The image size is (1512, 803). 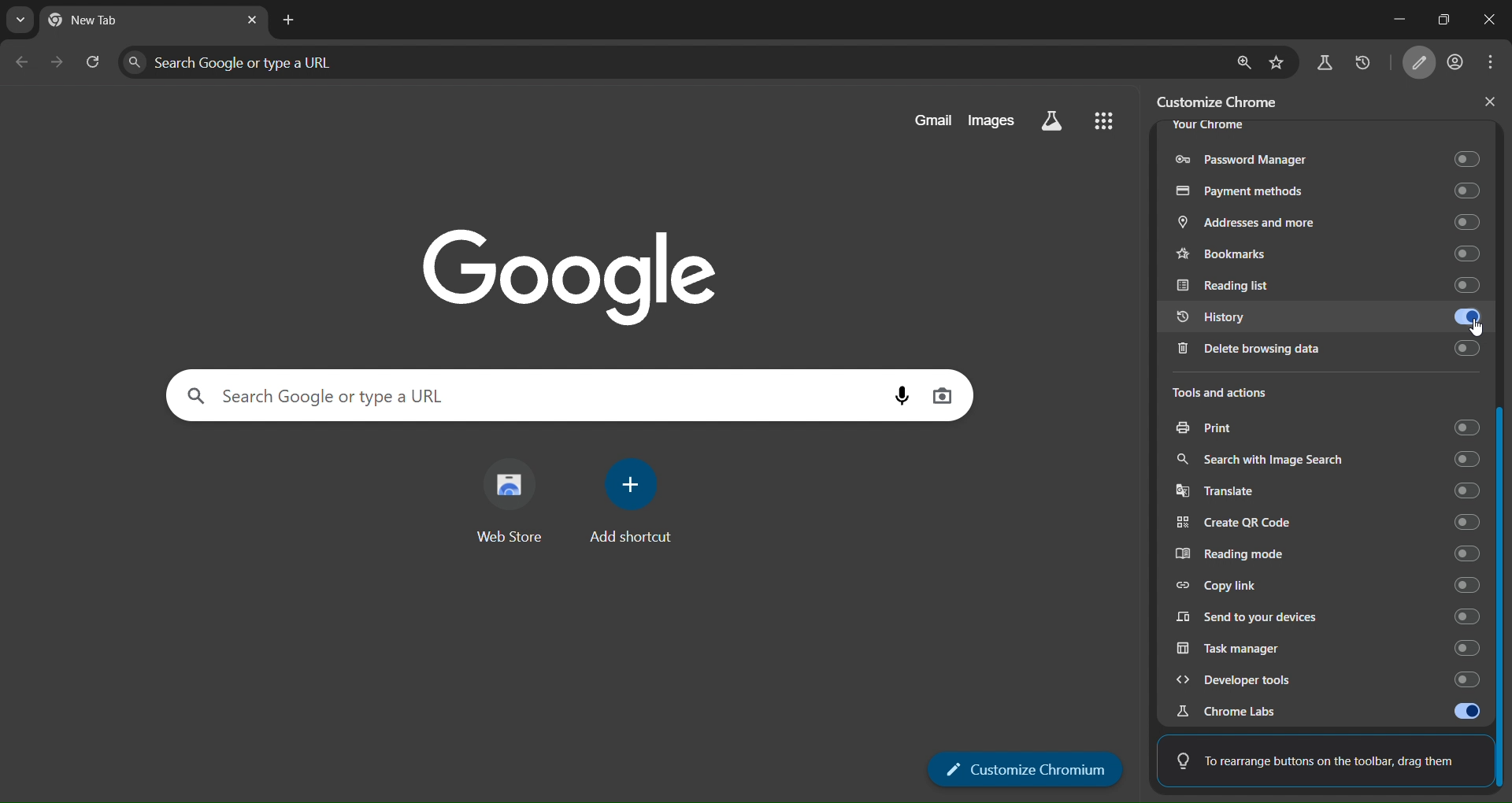 I want to click on zoom , so click(x=1243, y=61).